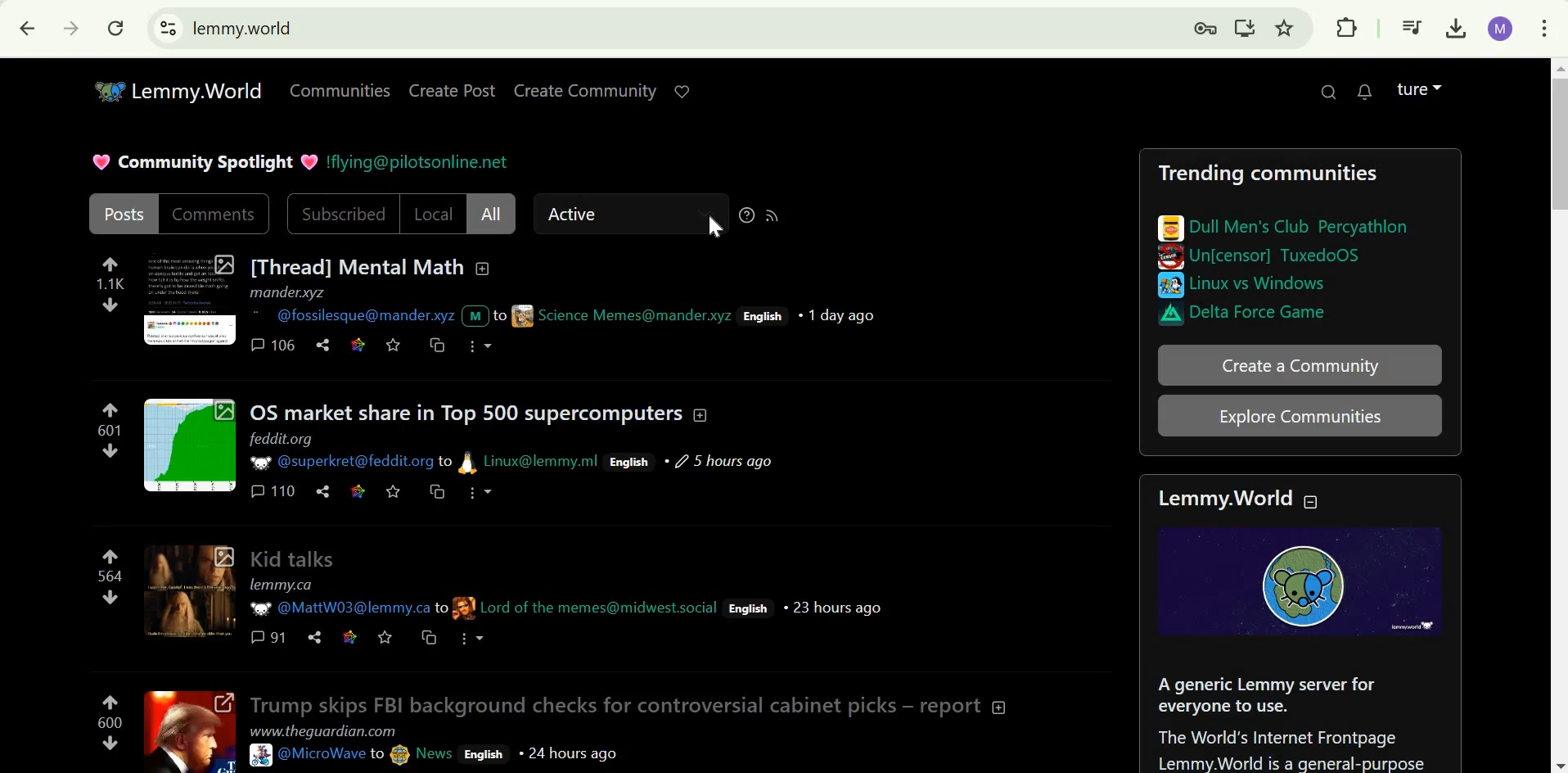  What do you see at coordinates (496, 314) in the screenshot?
I see `text and picture` at bounding box center [496, 314].